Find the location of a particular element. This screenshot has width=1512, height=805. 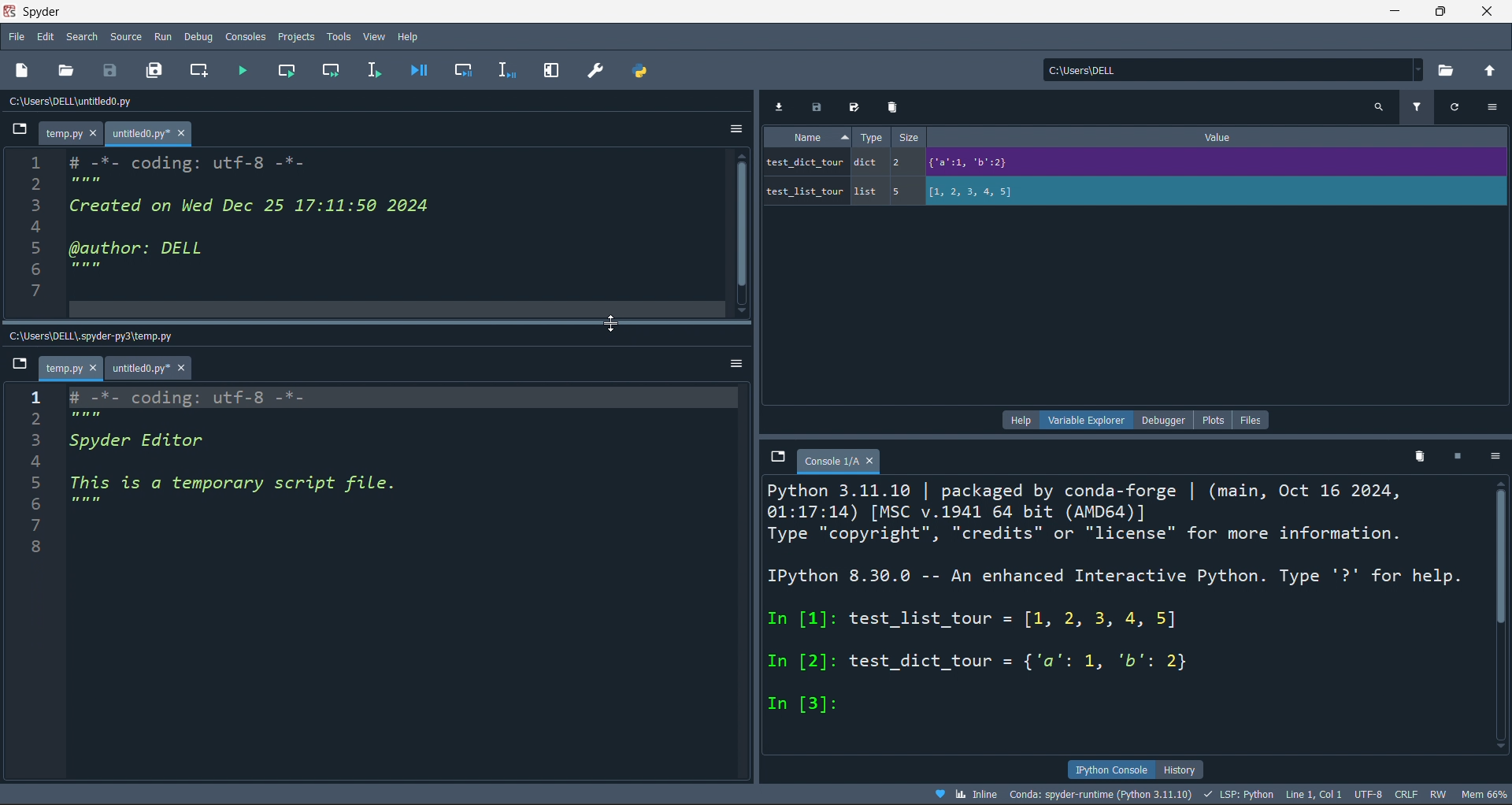

test list tour list 5 |[1,2,3, 4, 5) is located at coordinates (925, 191).